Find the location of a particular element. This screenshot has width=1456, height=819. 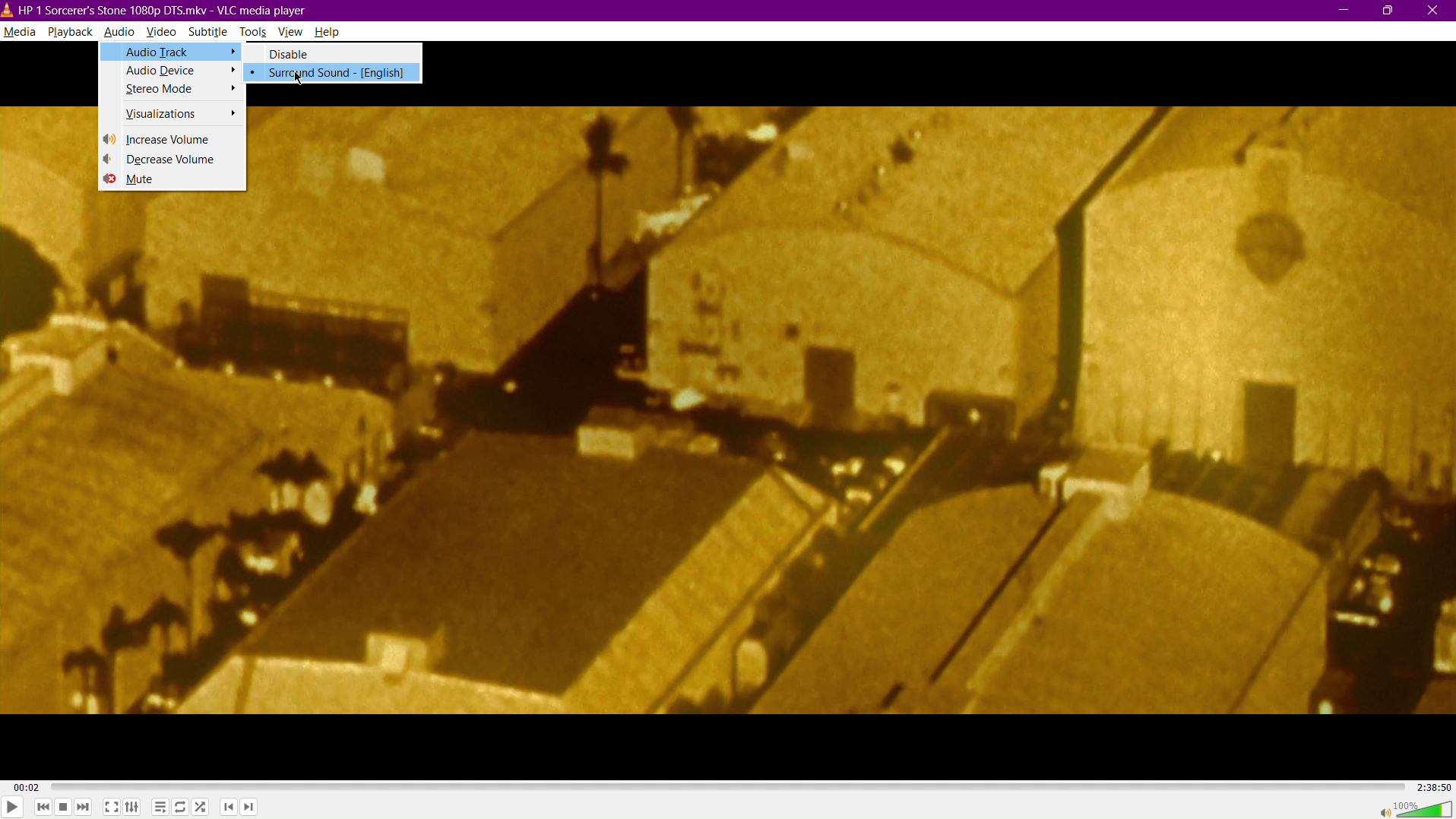

Help is located at coordinates (328, 32).